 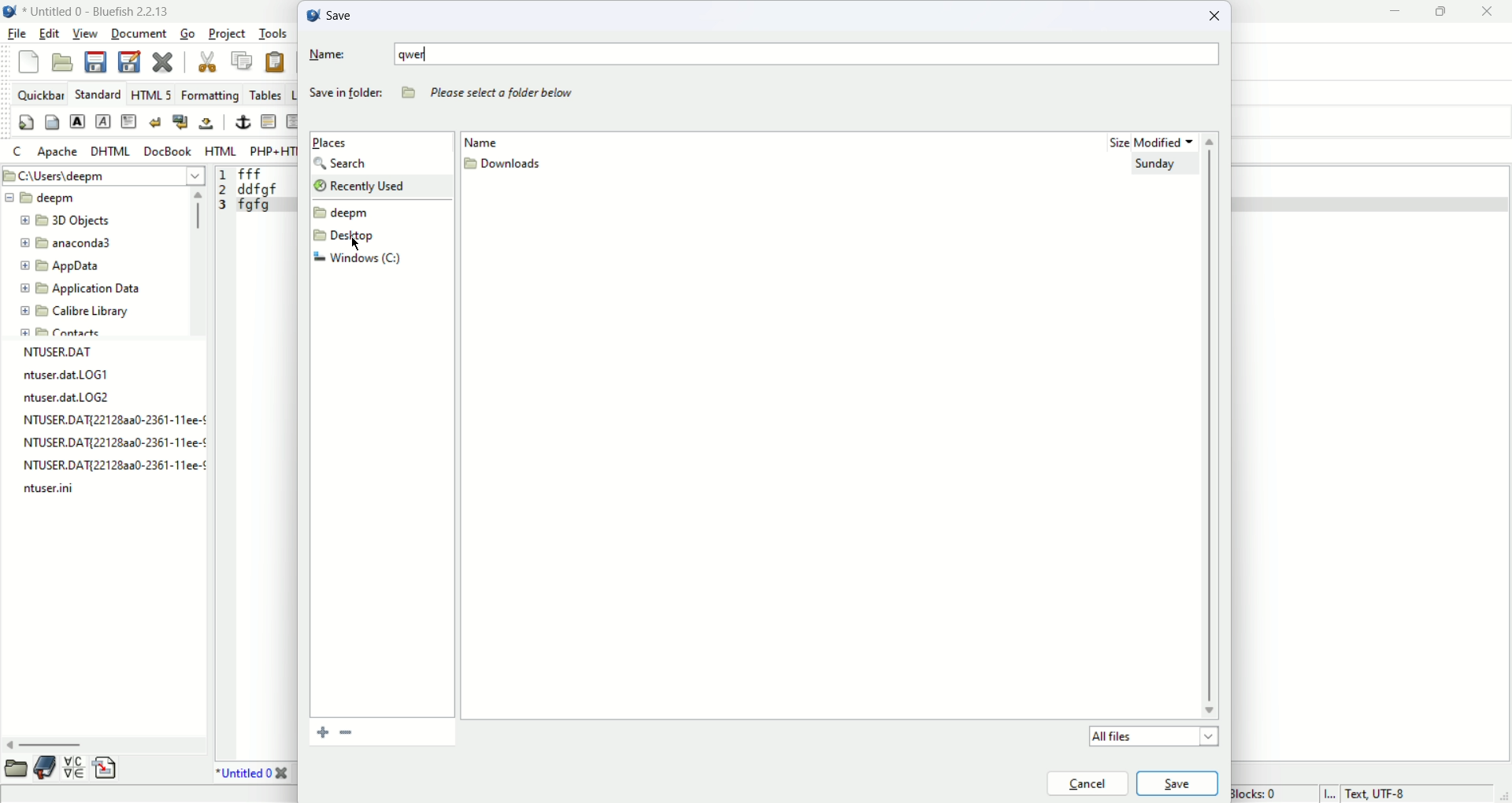 I want to click on horizontal scroll bar, so click(x=98, y=742).